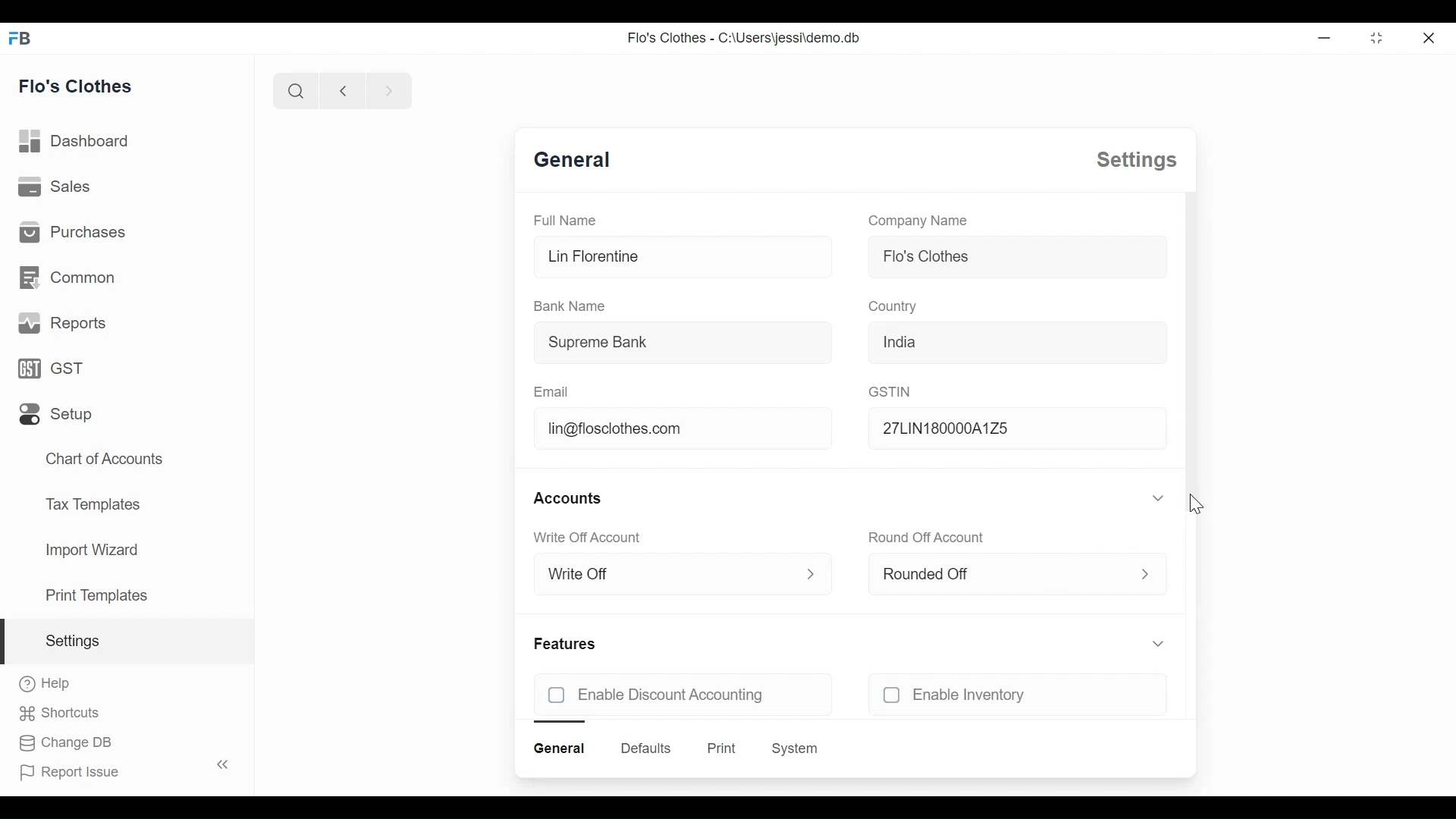 Image resolution: width=1456 pixels, height=819 pixels. What do you see at coordinates (1194, 506) in the screenshot?
I see `Cursor` at bounding box center [1194, 506].